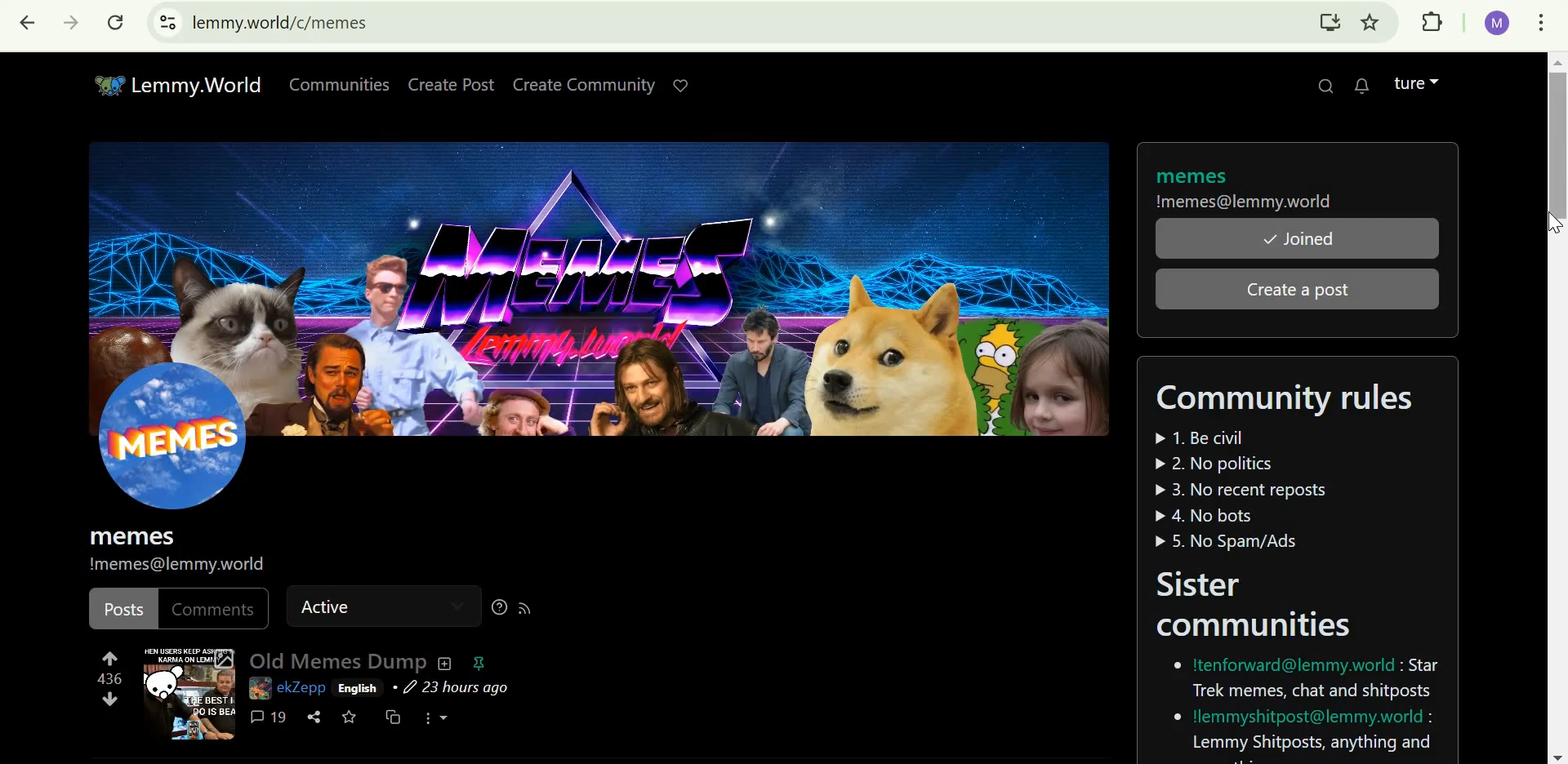 The image size is (1568, 764). Describe the element at coordinates (1496, 24) in the screenshot. I see `Google account` at that location.